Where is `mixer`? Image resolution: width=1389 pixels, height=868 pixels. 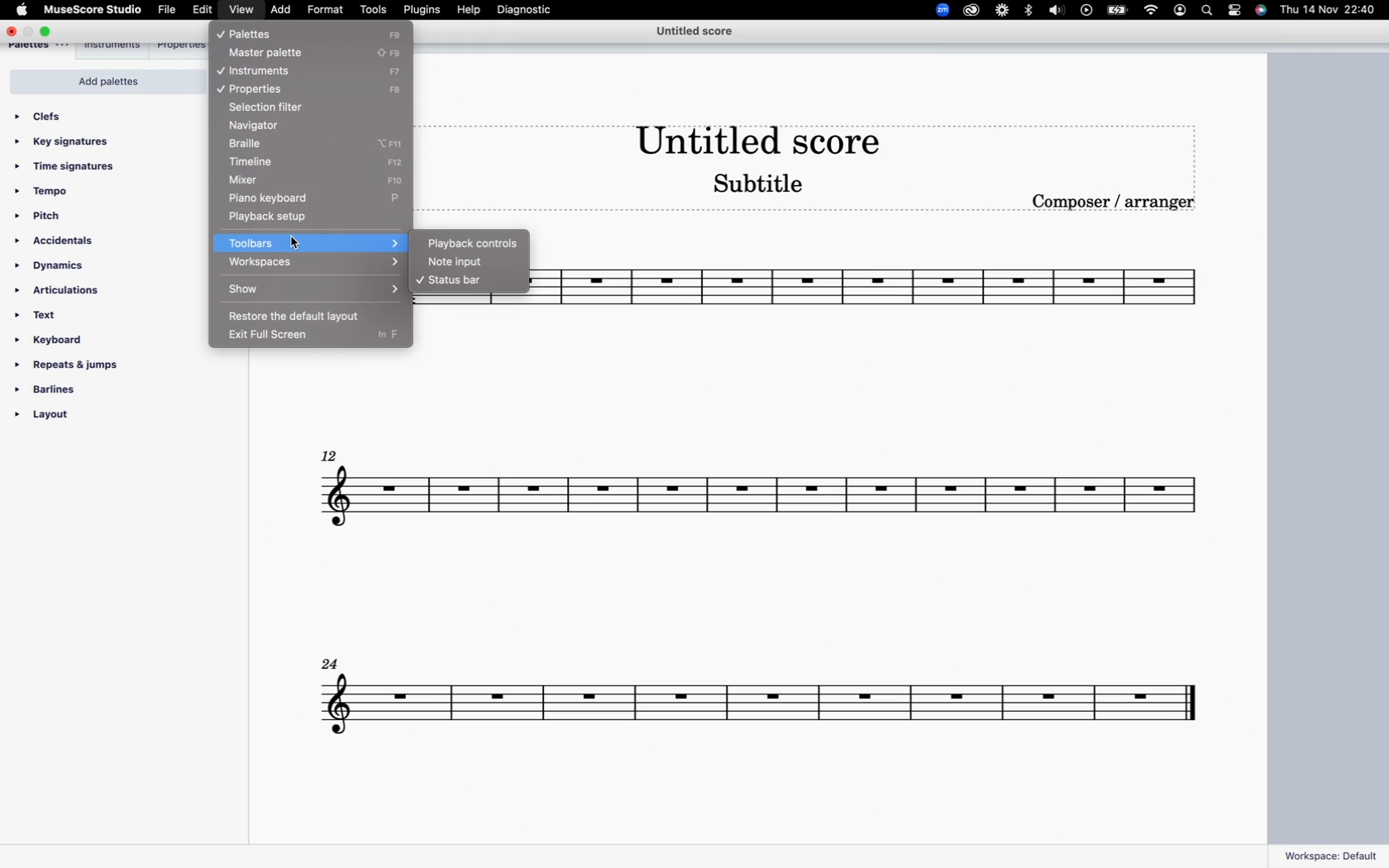 mixer is located at coordinates (290, 180).